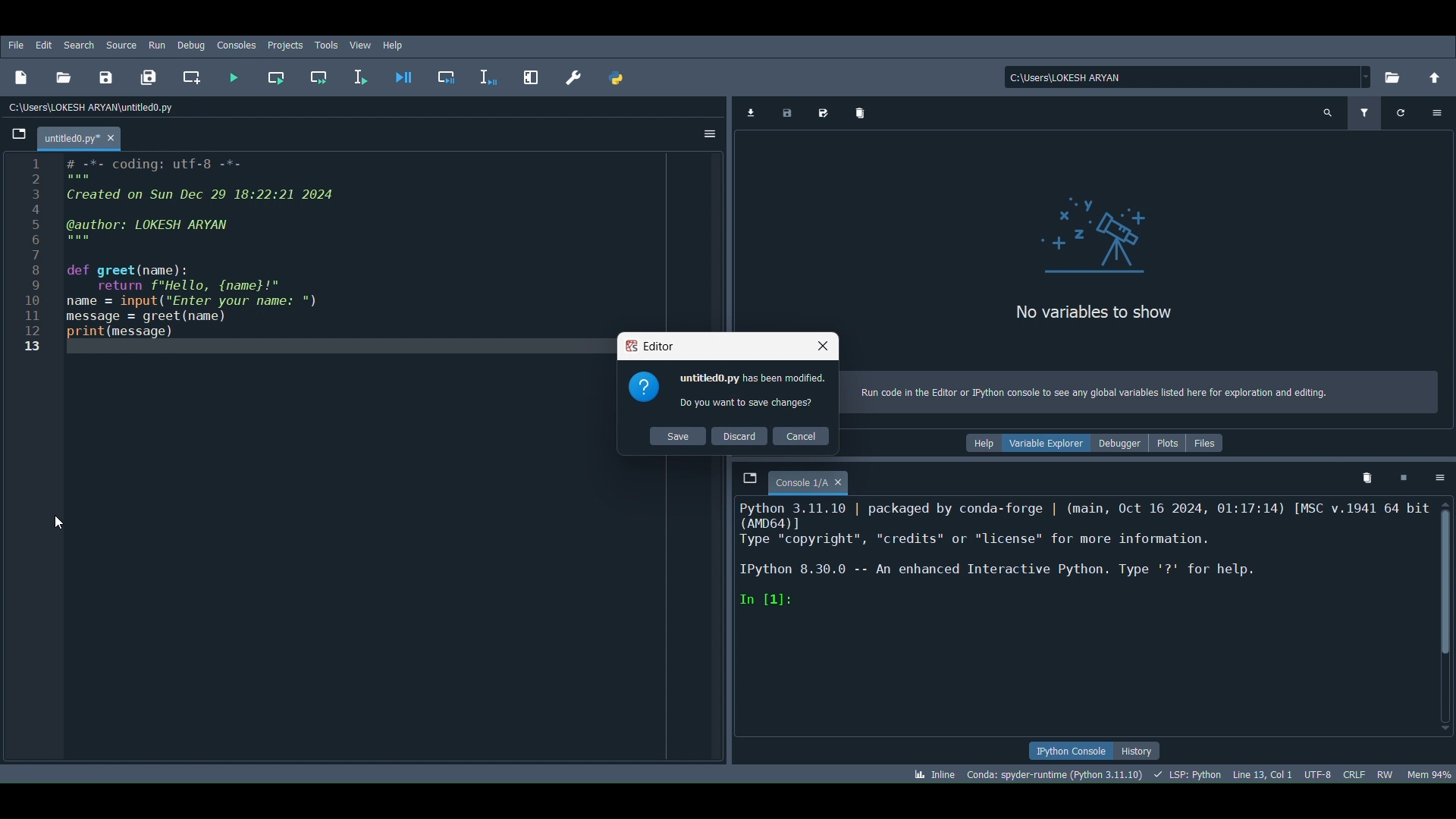  Describe the element at coordinates (18, 42) in the screenshot. I see `File` at that location.